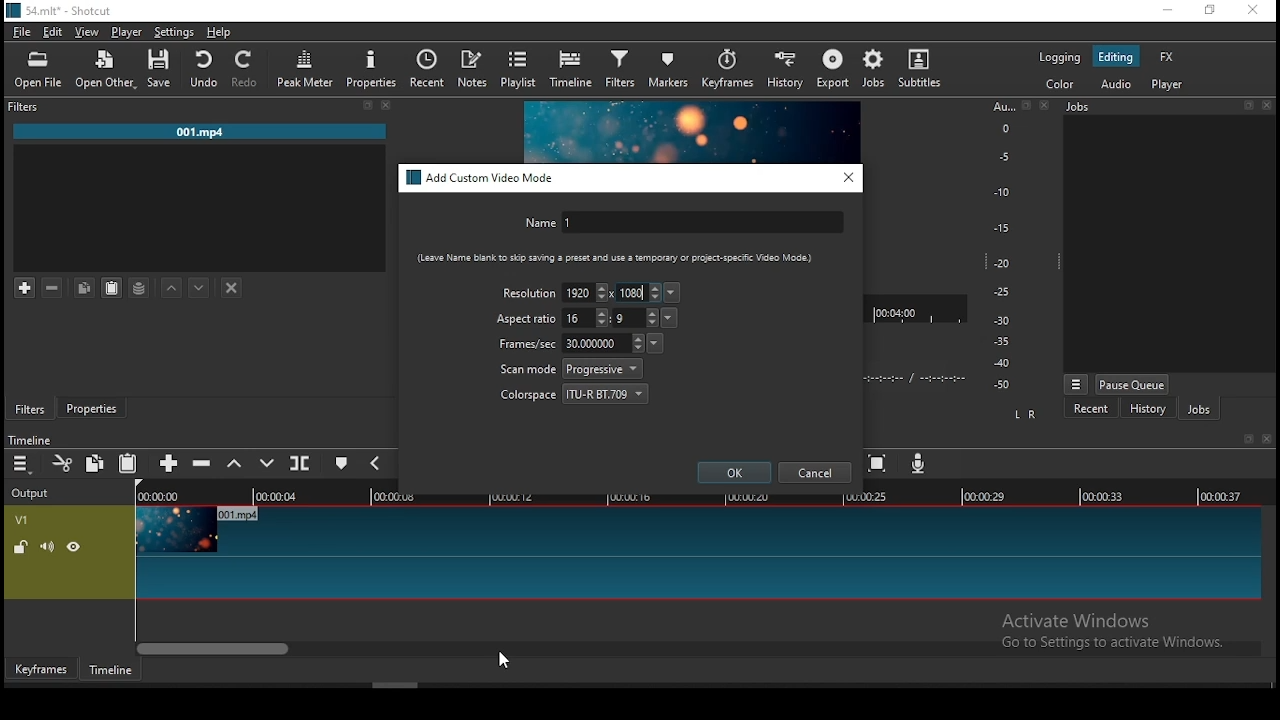 This screenshot has height=720, width=1280. What do you see at coordinates (699, 647) in the screenshot?
I see `scroll bar` at bounding box center [699, 647].